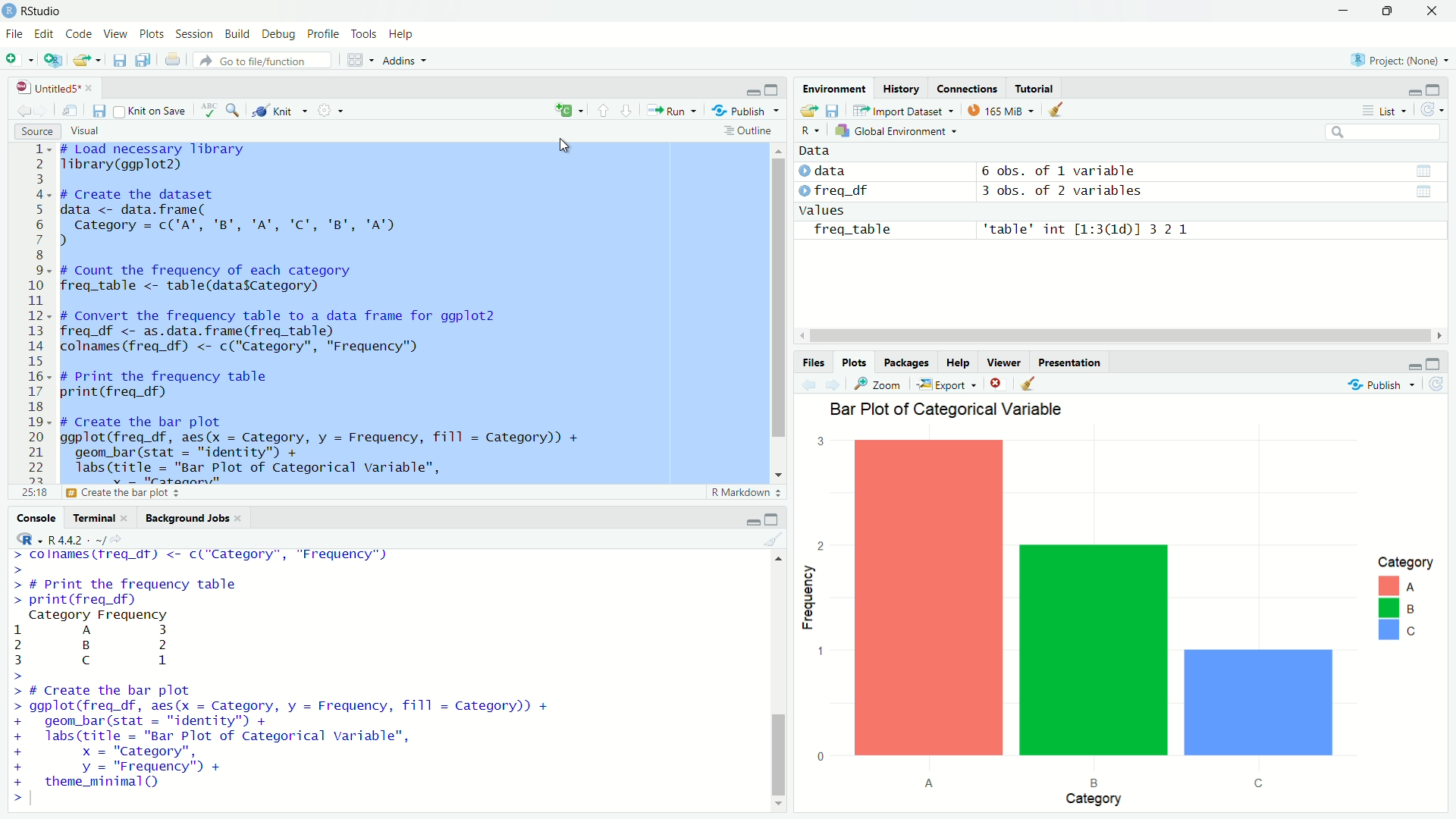 The height and width of the screenshot is (819, 1456). Describe the element at coordinates (193, 34) in the screenshot. I see `sessions` at that location.